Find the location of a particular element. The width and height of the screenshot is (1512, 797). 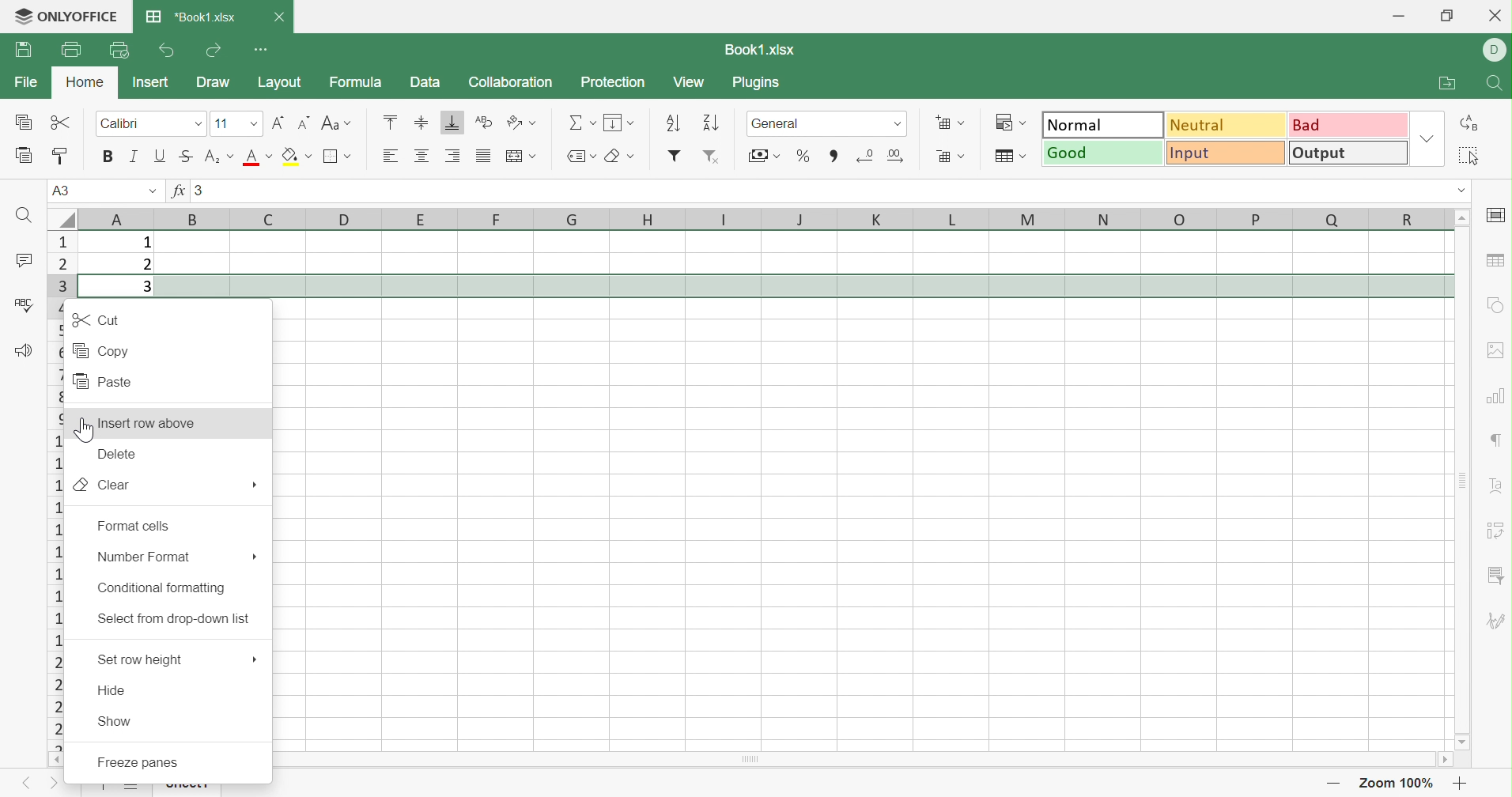

Strikethrough is located at coordinates (184, 155).